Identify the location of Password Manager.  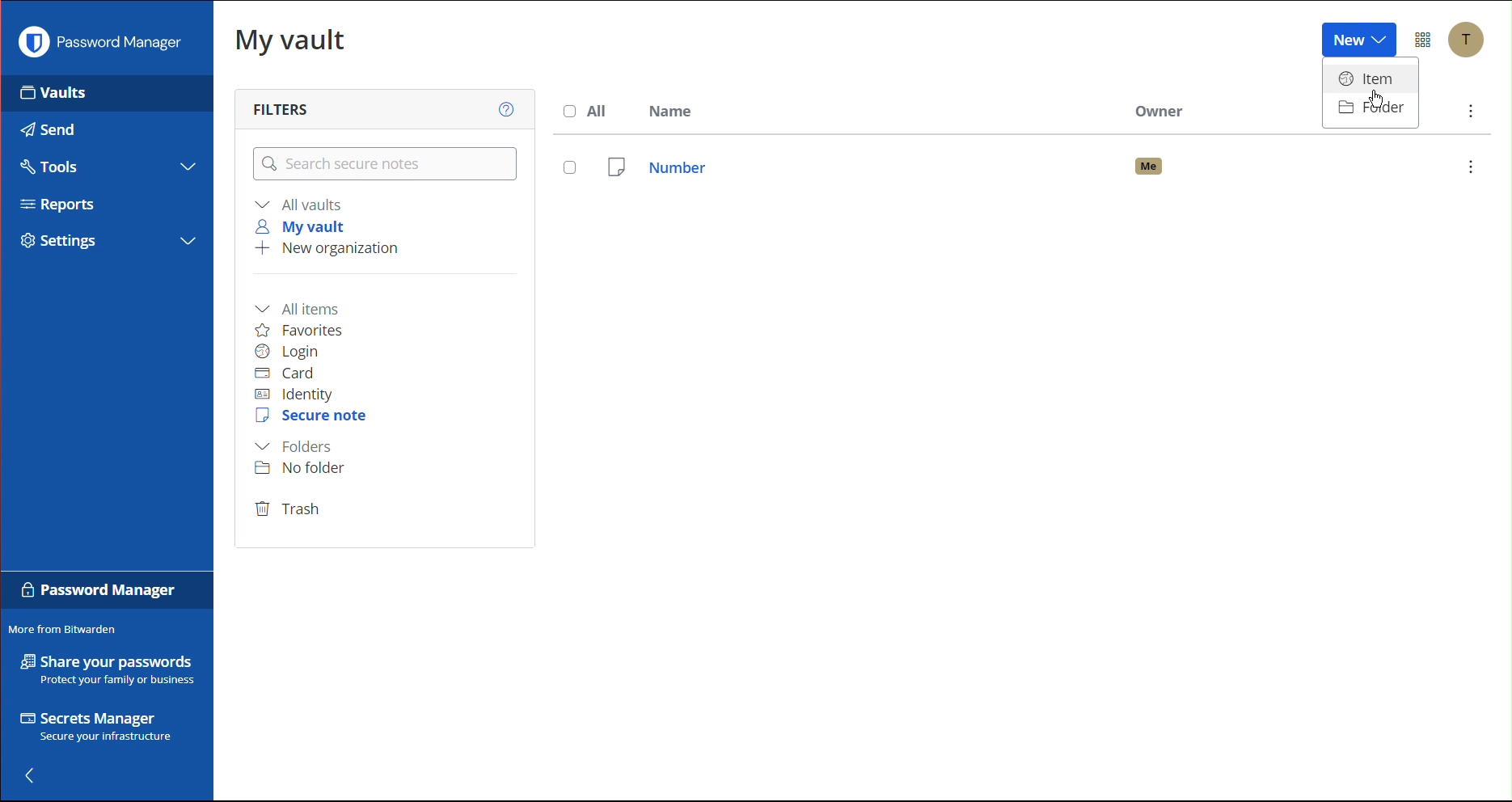
(104, 42).